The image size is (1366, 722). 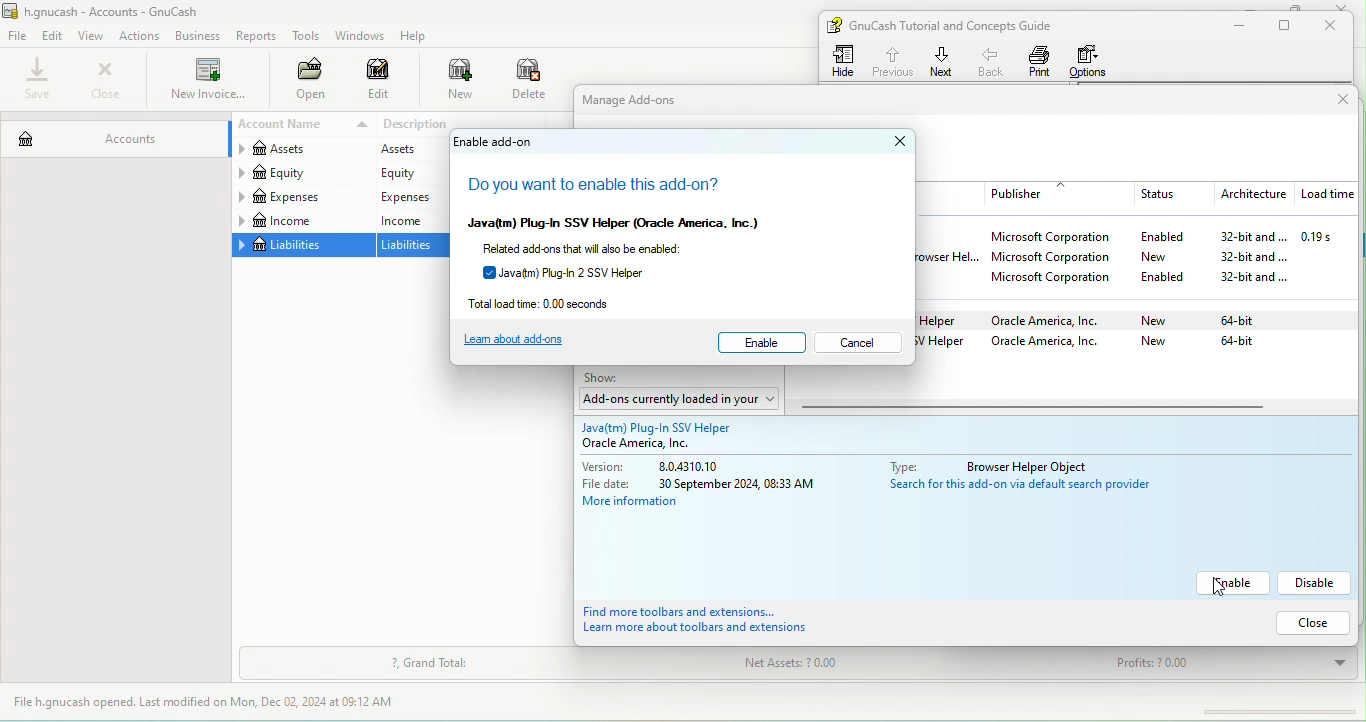 I want to click on close, so click(x=1309, y=622).